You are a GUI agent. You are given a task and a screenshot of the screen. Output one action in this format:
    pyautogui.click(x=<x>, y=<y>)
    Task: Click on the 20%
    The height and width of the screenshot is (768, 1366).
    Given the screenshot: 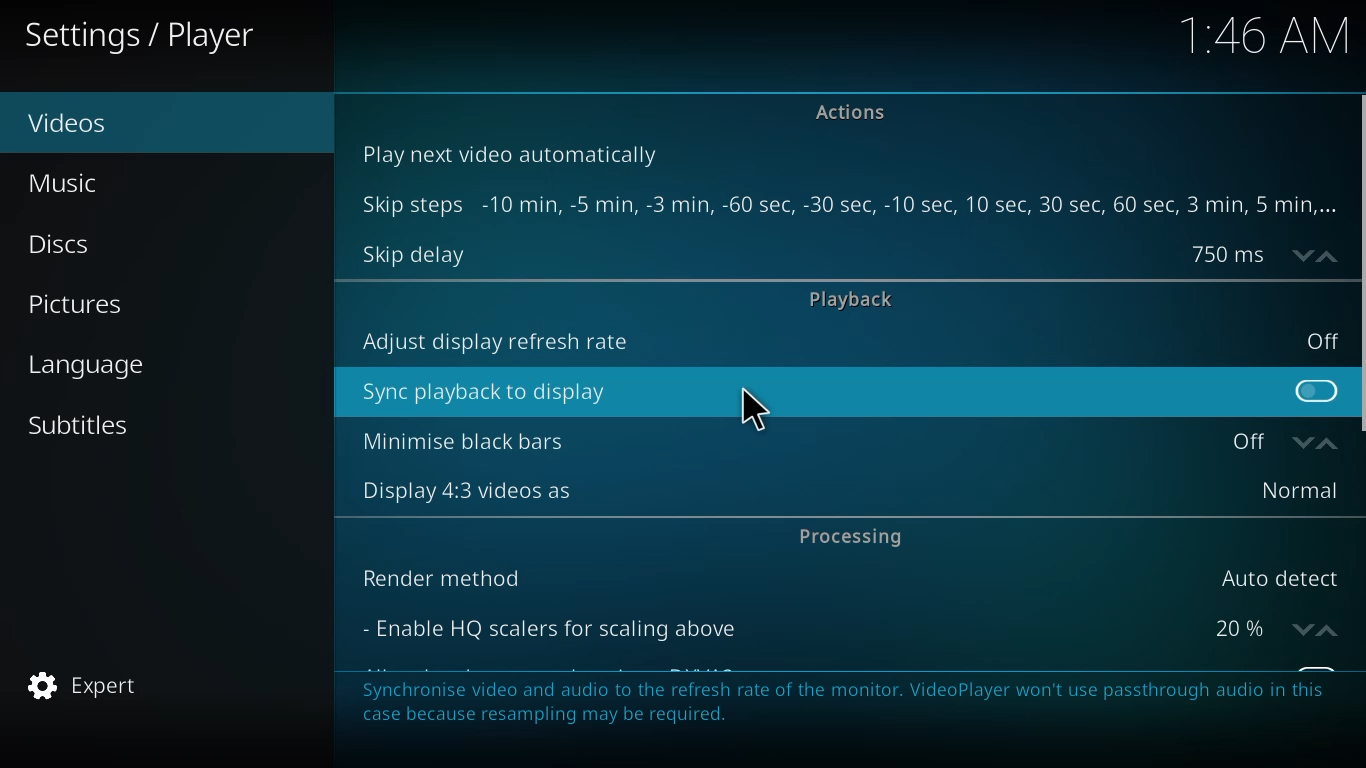 What is the action you would take?
    pyautogui.click(x=1273, y=628)
    